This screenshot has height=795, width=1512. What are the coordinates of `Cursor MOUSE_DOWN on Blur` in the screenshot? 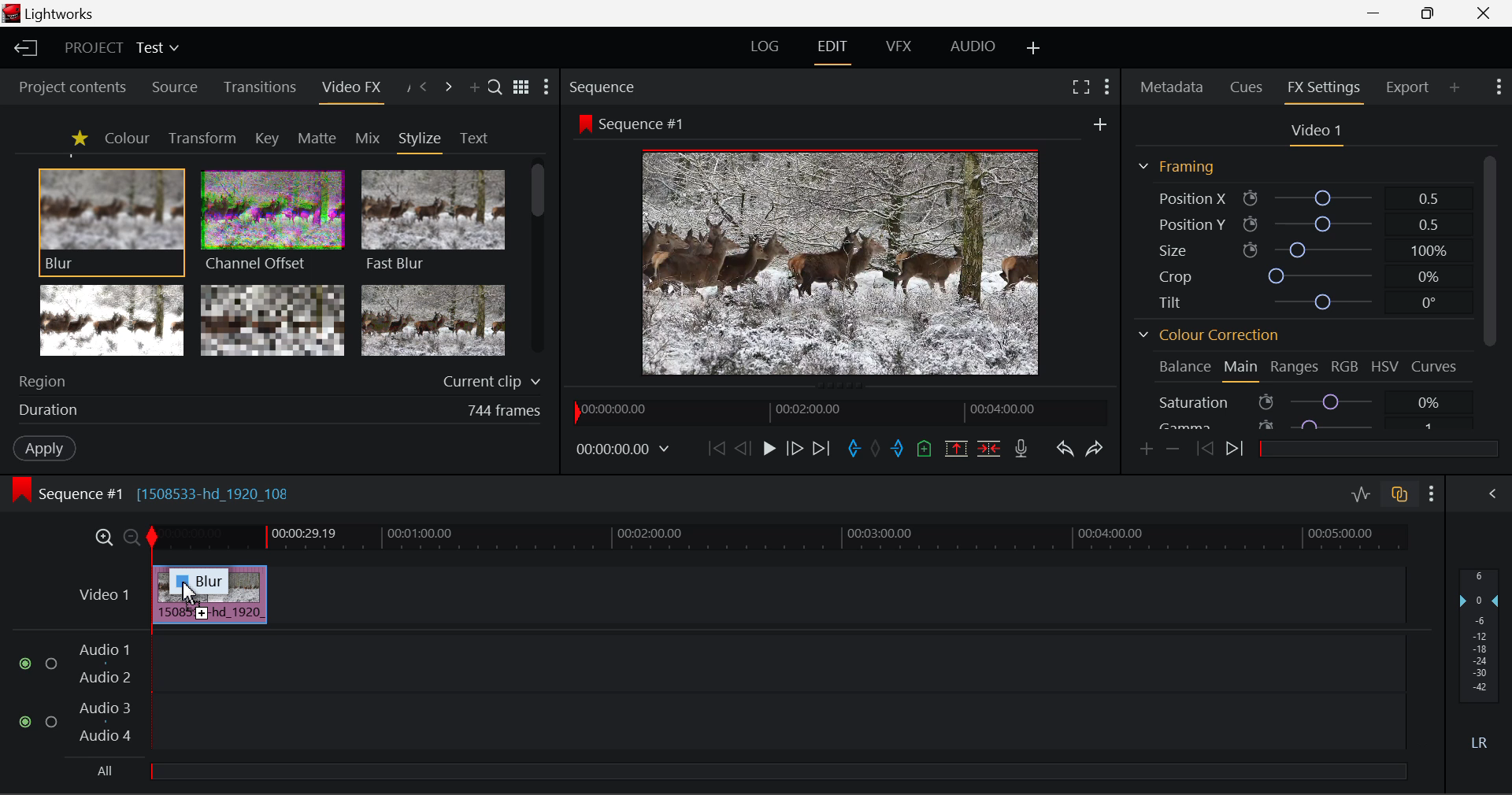 It's located at (112, 220).